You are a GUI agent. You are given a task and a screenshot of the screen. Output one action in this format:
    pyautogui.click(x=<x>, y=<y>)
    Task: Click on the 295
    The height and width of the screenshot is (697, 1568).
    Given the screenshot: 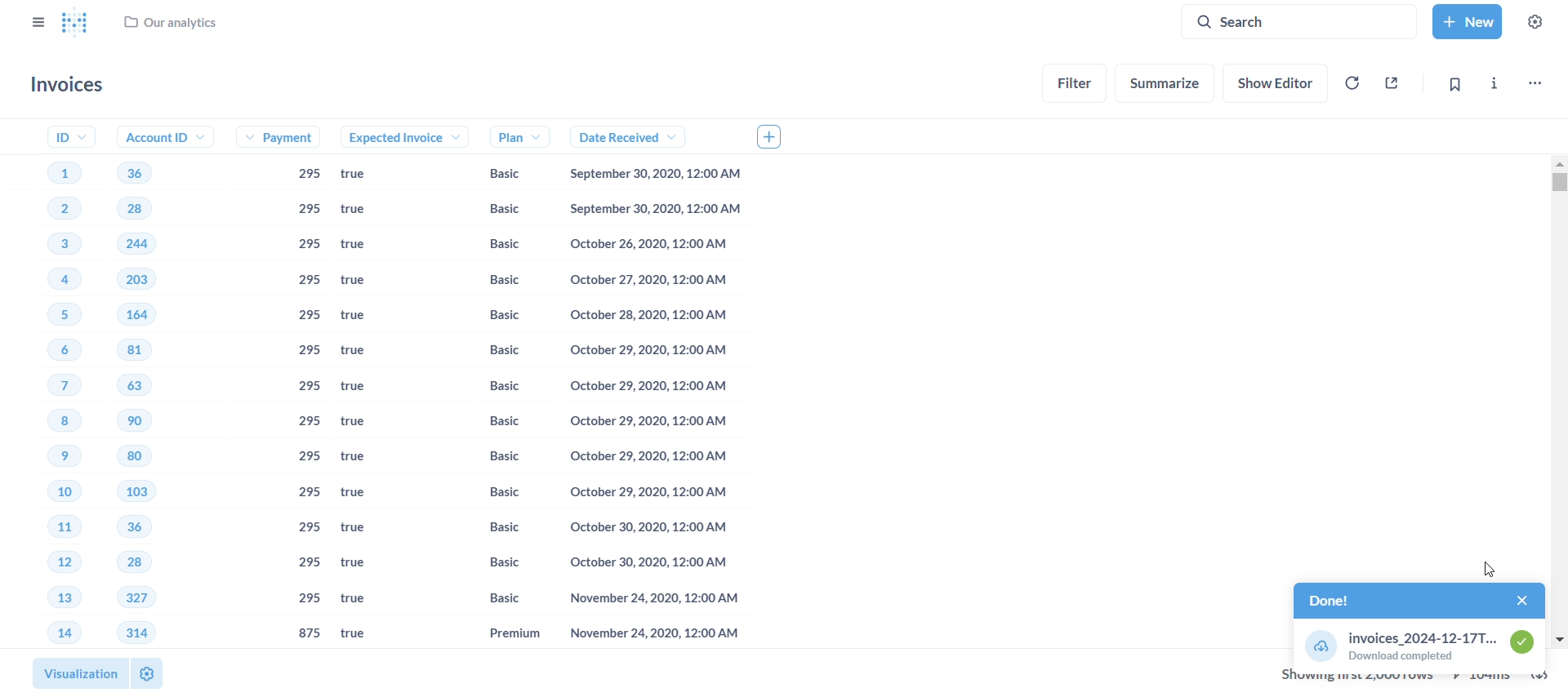 What is the action you would take?
    pyautogui.click(x=308, y=527)
    